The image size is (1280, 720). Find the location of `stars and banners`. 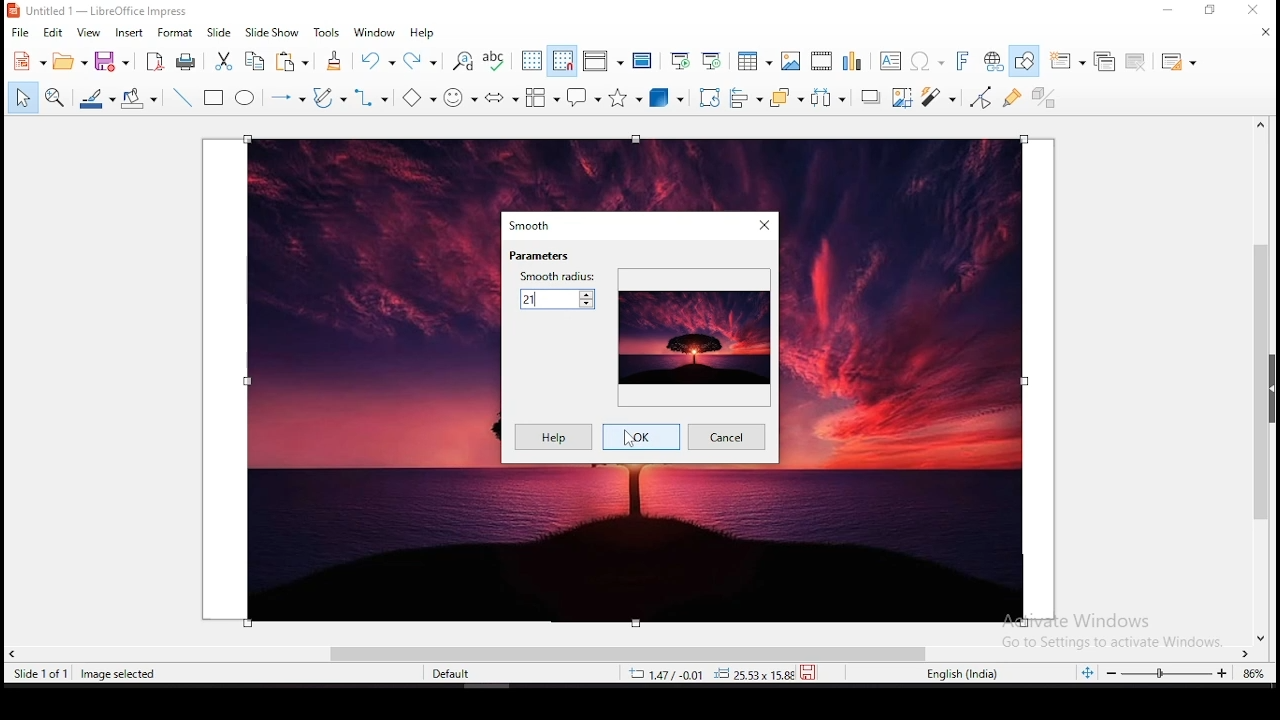

stars and banners is located at coordinates (627, 98).